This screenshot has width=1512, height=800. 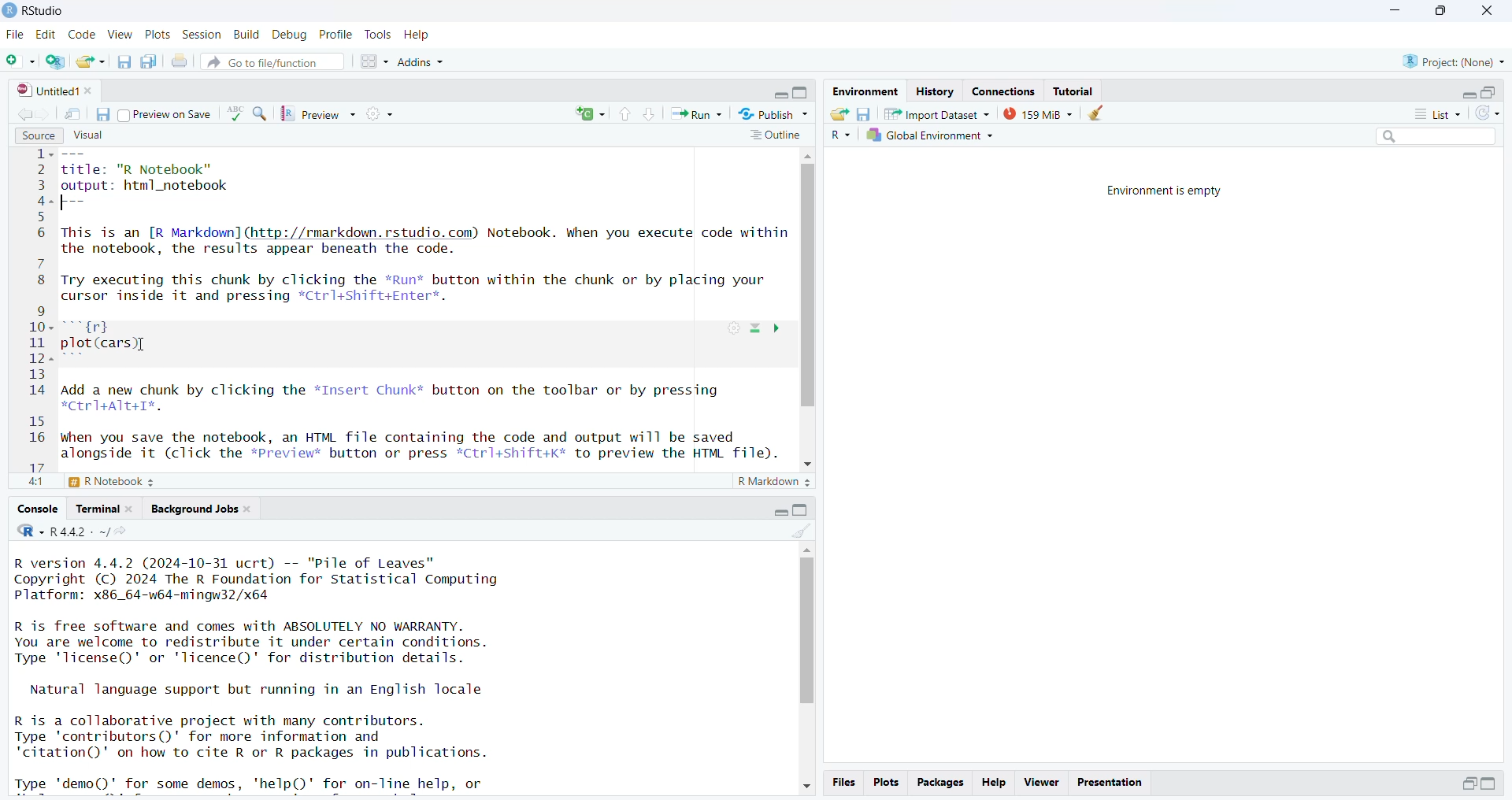 I want to click on history, so click(x=934, y=92).